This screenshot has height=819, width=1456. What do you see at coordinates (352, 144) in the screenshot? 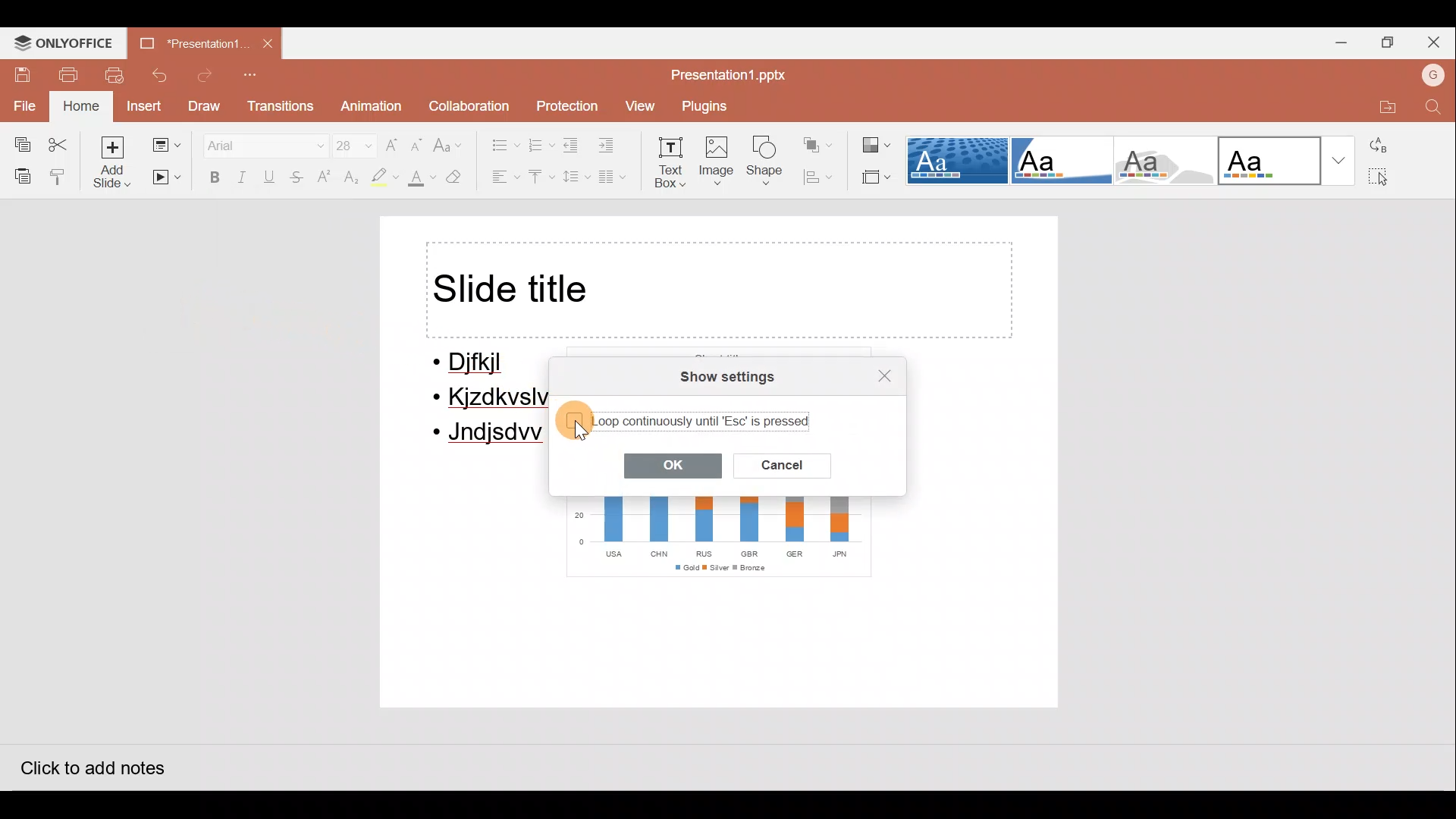
I see `Font size` at bounding box center [352, 144].